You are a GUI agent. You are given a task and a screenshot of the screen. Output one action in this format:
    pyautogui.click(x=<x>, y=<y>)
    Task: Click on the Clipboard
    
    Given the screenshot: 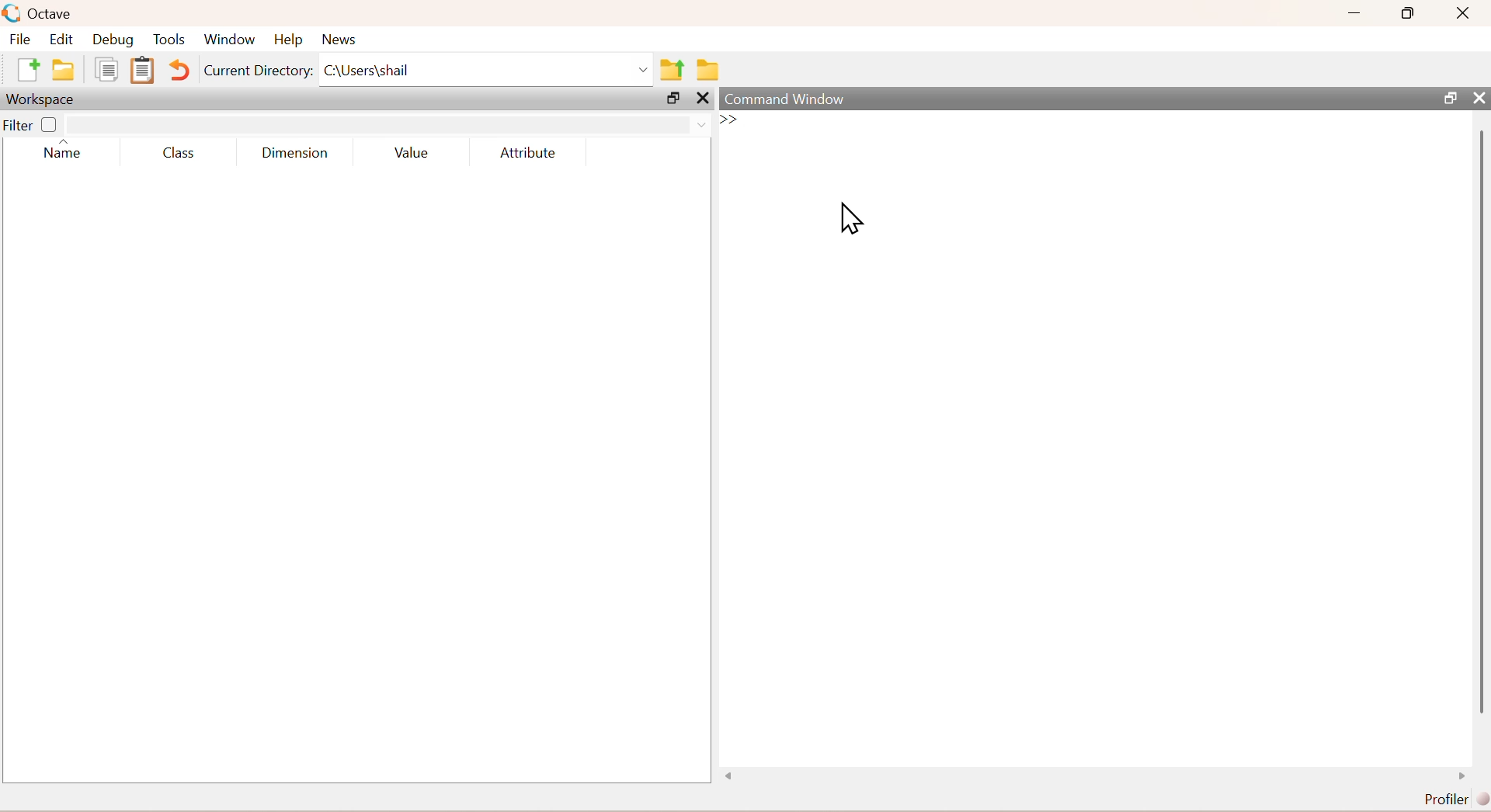 What is the action you would take?
    pyautogui.click(x=143, y=70)
    